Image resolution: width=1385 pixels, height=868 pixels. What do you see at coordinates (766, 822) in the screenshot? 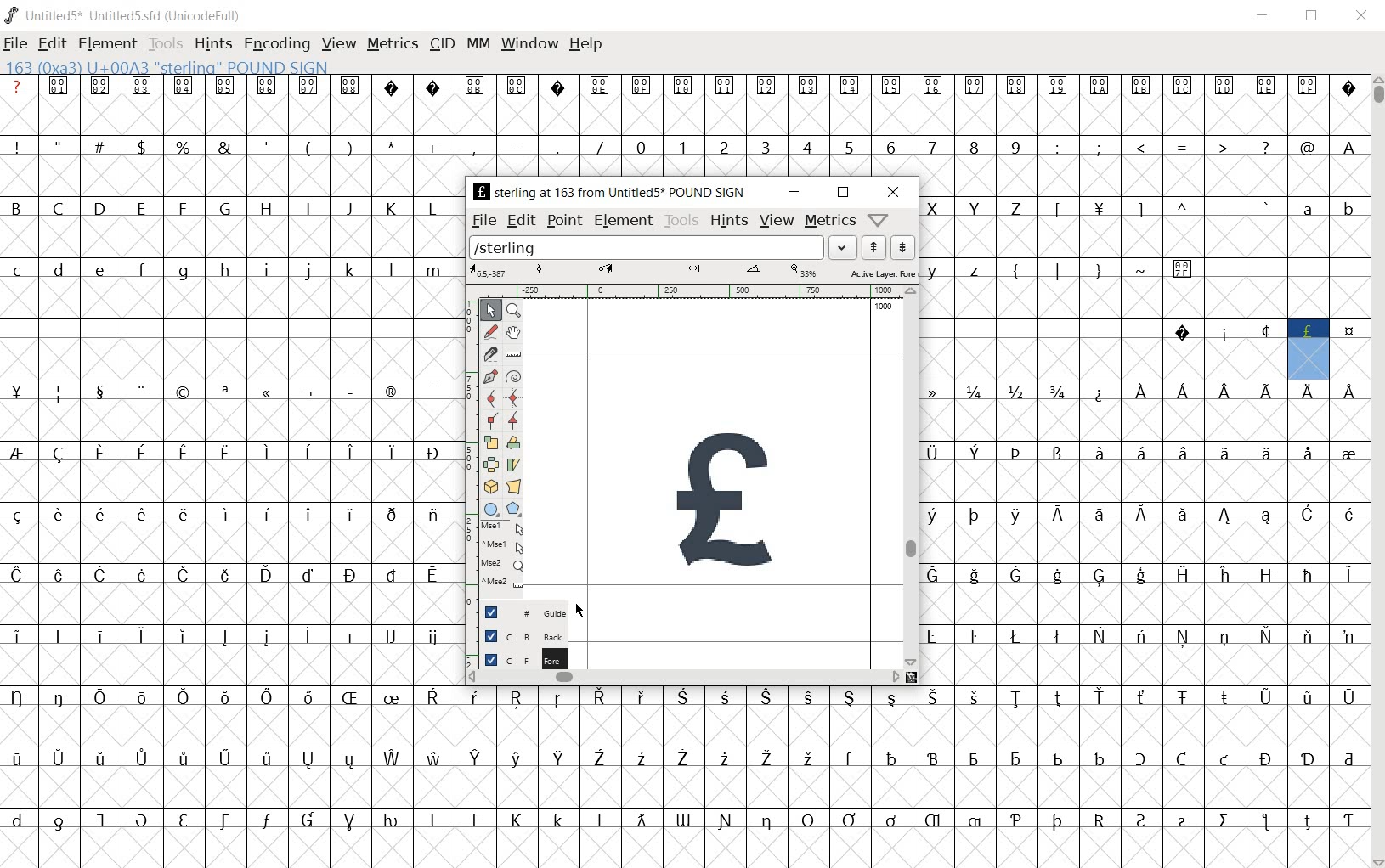
I see `Symbol` at bounding box center [766, 822].